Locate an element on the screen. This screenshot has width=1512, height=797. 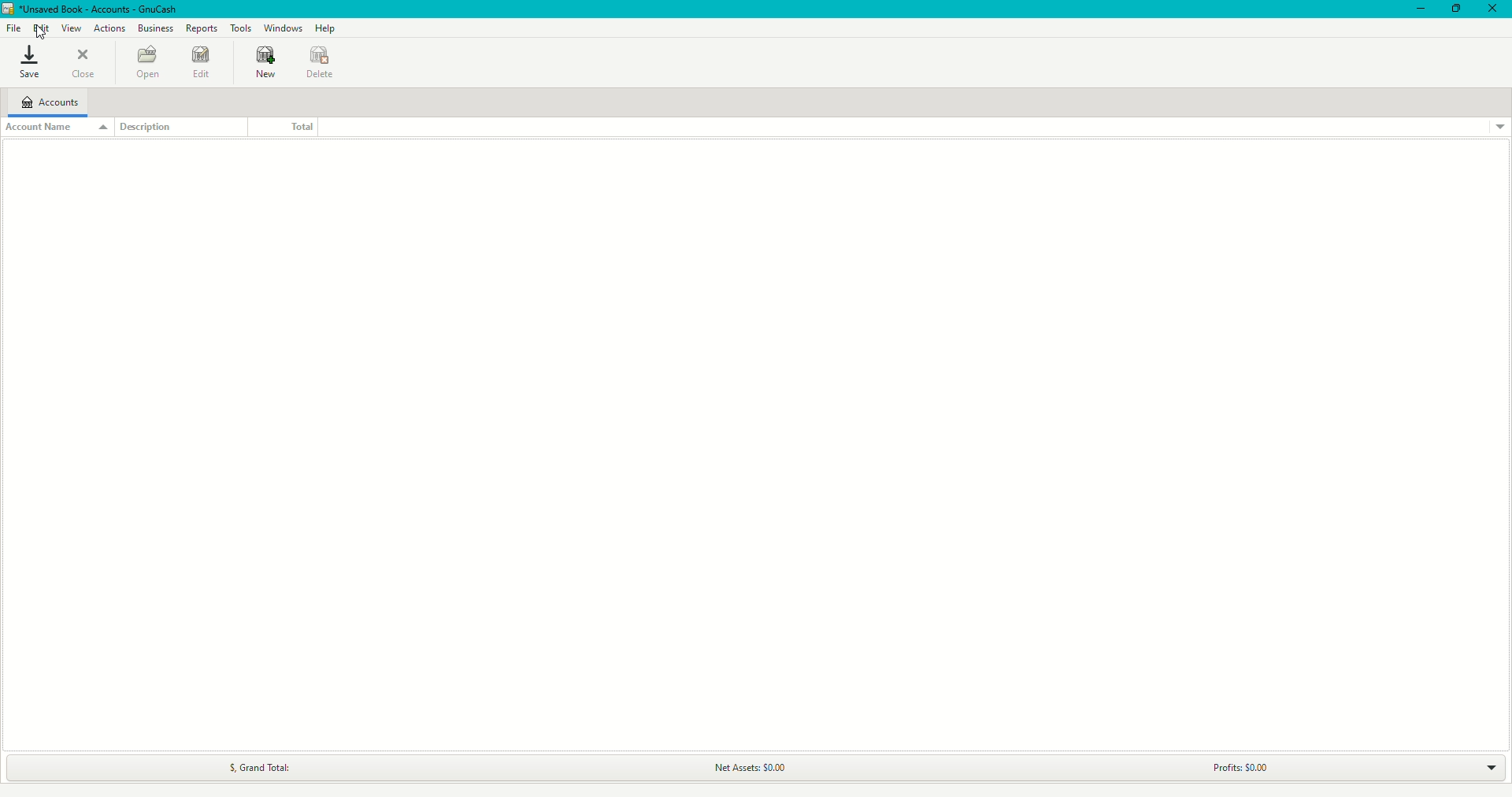
Net Assets is located at coordinates (747, 769).